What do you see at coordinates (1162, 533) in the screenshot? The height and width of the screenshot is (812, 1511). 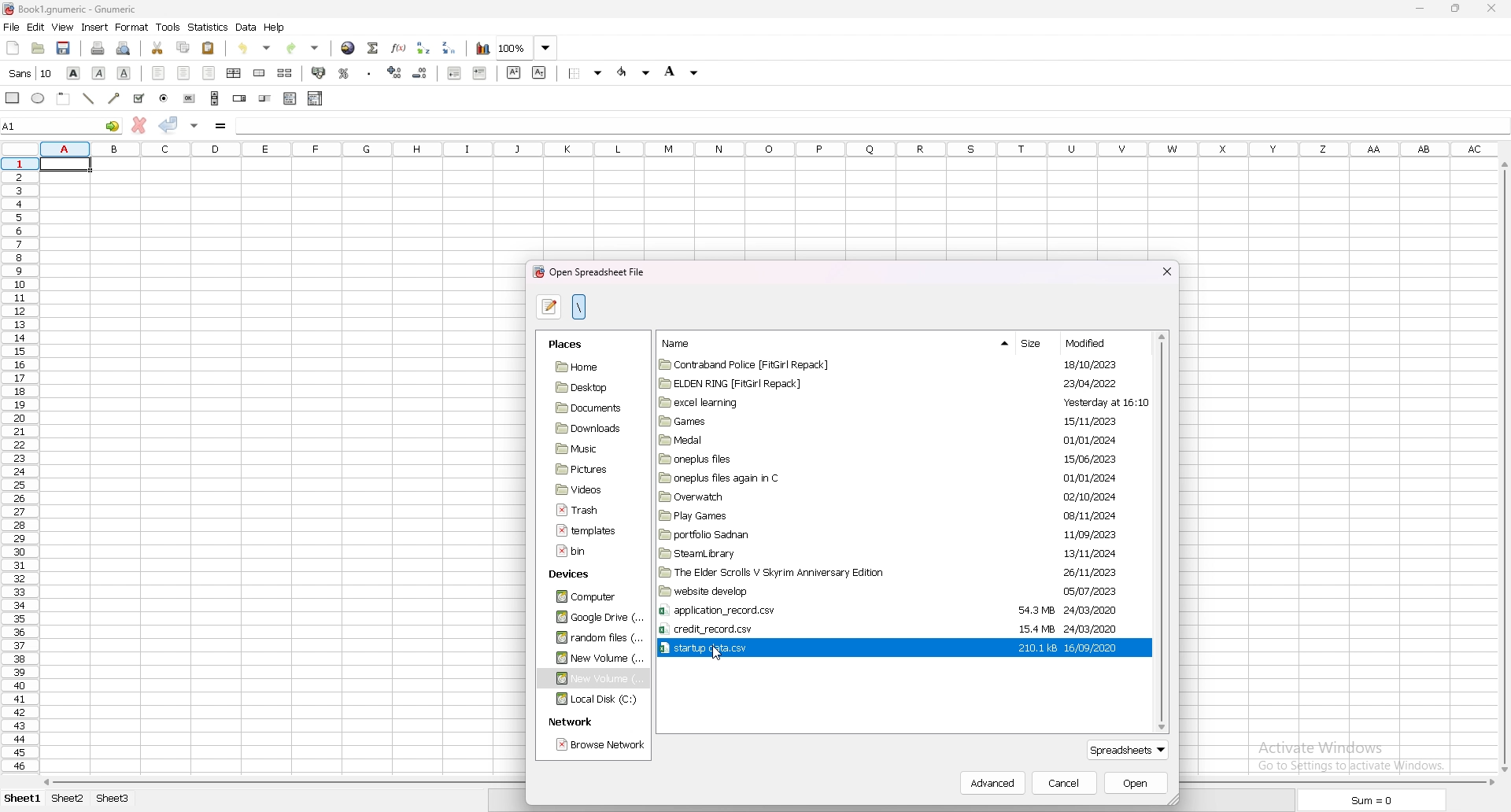 I see `scroll bar` at bounding box center [1162, 533].